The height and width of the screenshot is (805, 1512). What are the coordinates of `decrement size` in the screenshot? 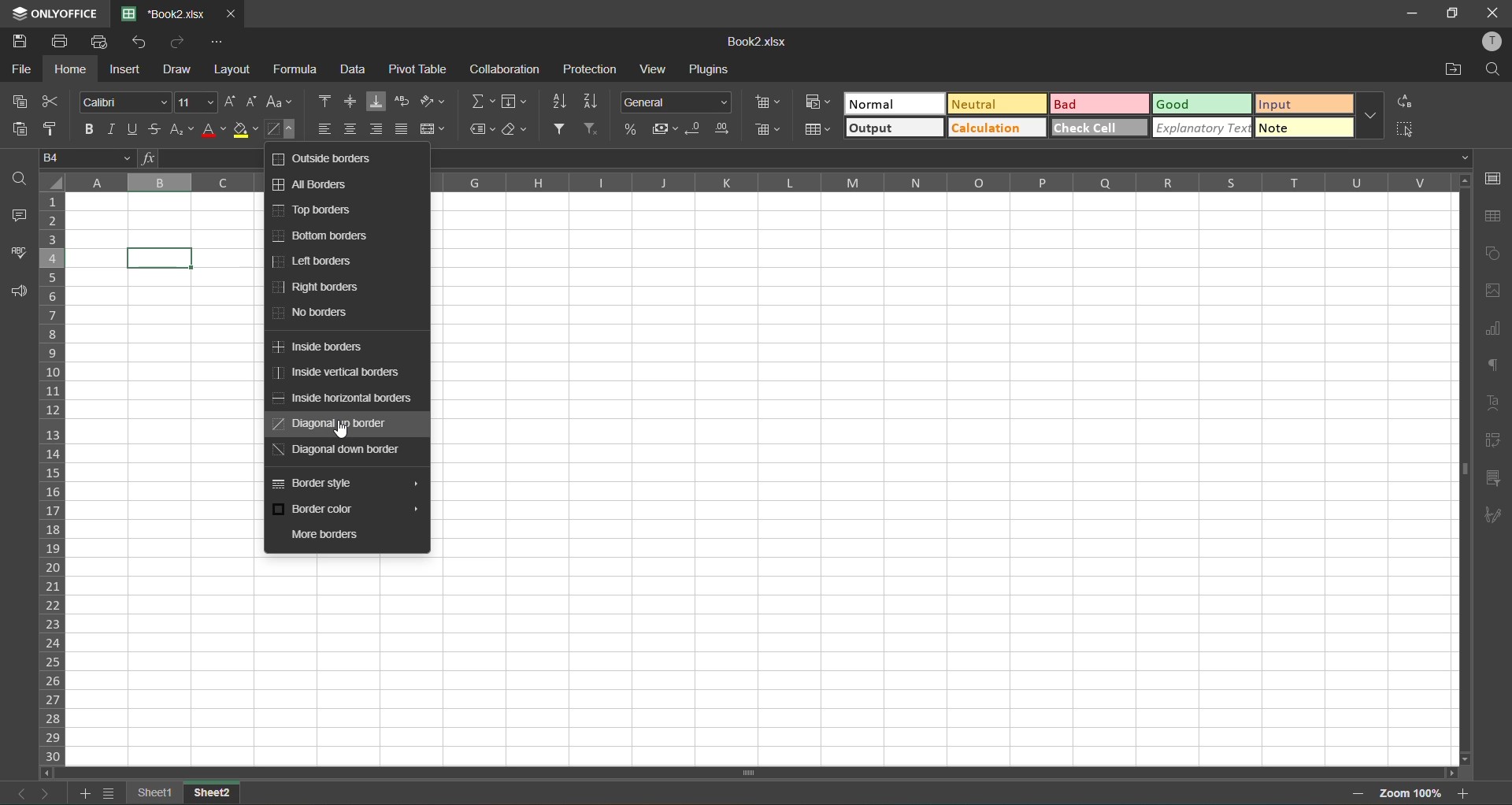 It's located at (254, 102).